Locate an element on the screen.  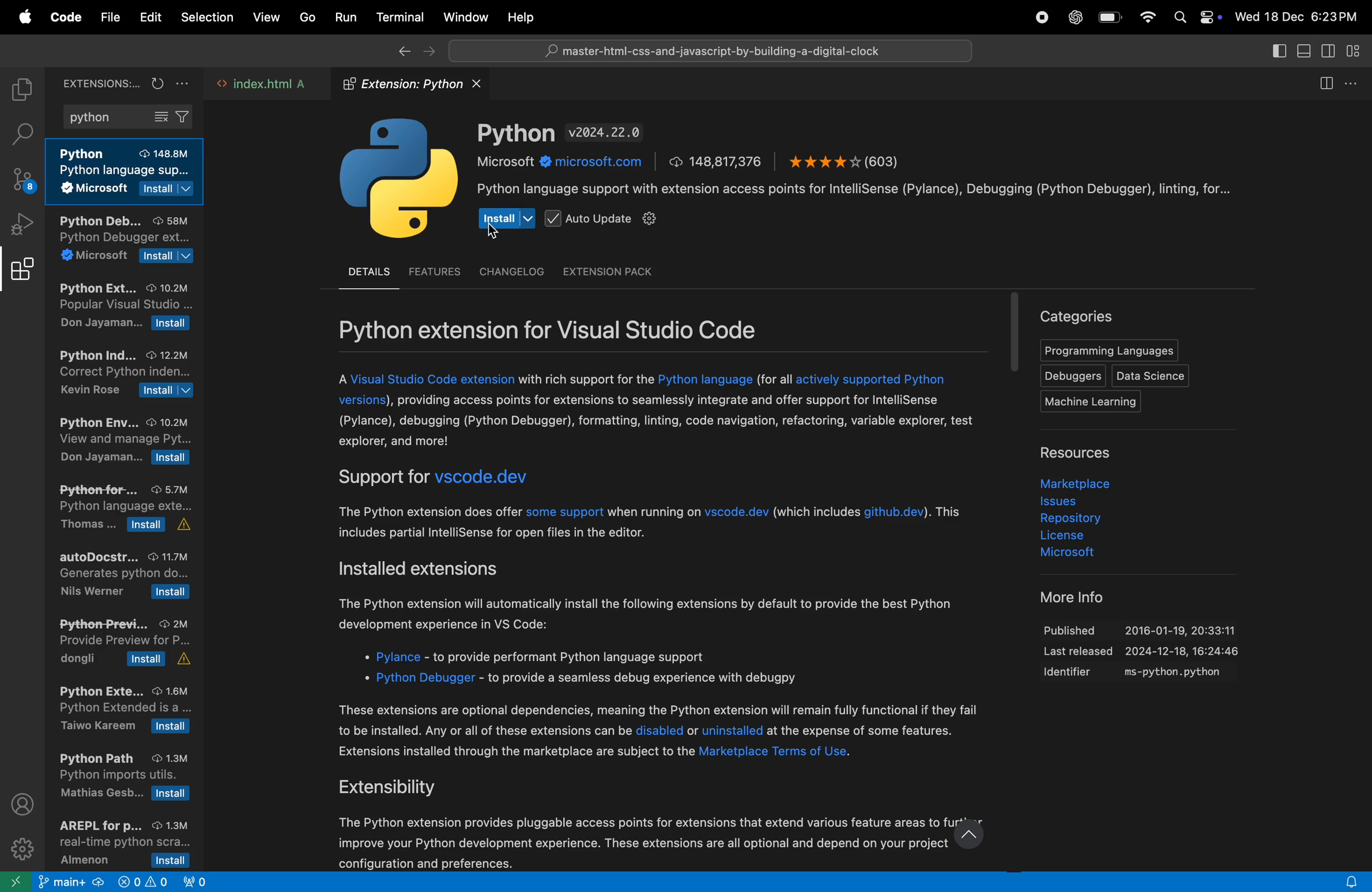
python boot strap extension is located at coordinates (123, 710).